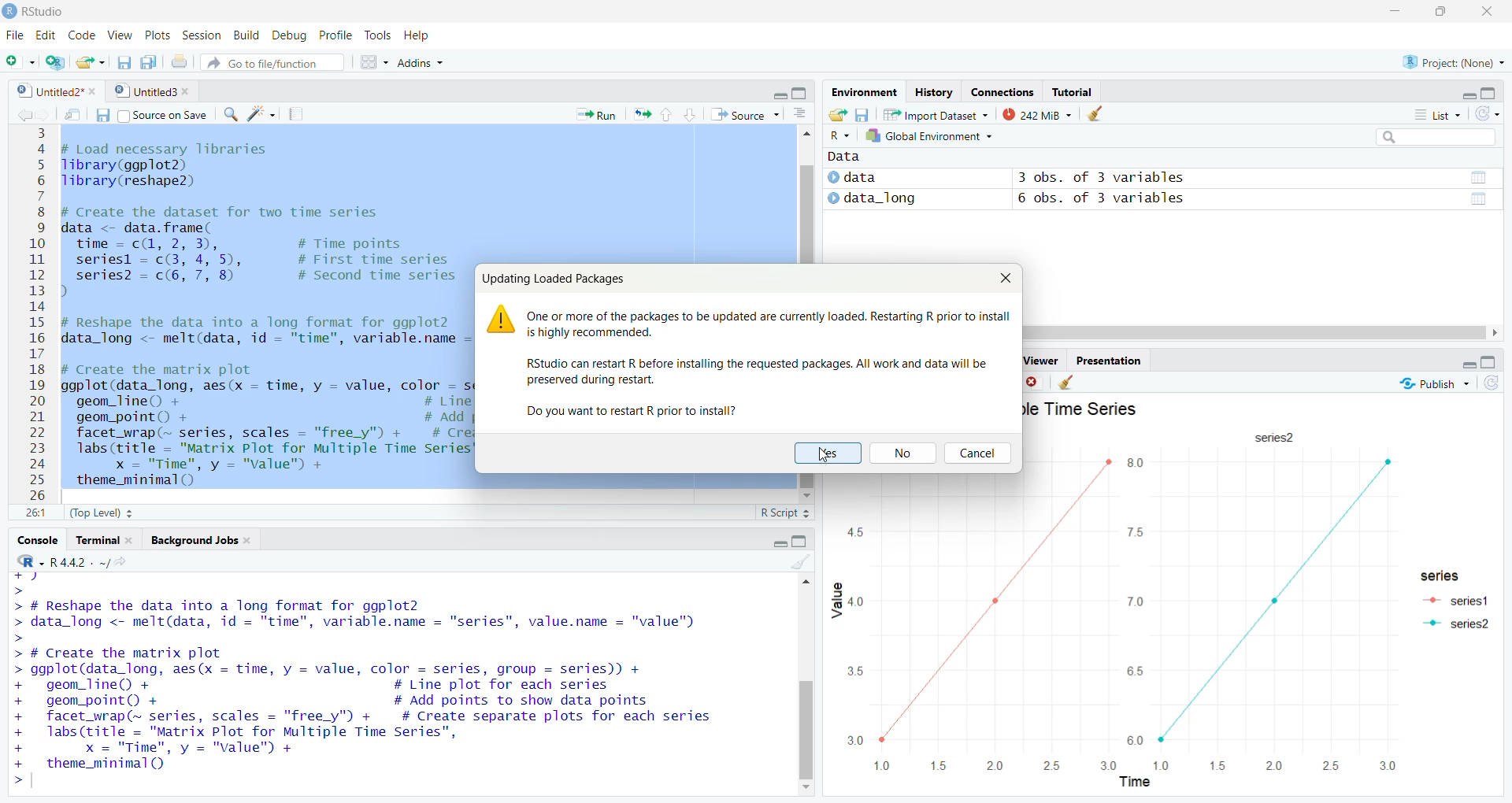  What do you see at coordinates (80, 561) in the screenshot?
I see `R442 . ~/` at bounding box center [80, 561].